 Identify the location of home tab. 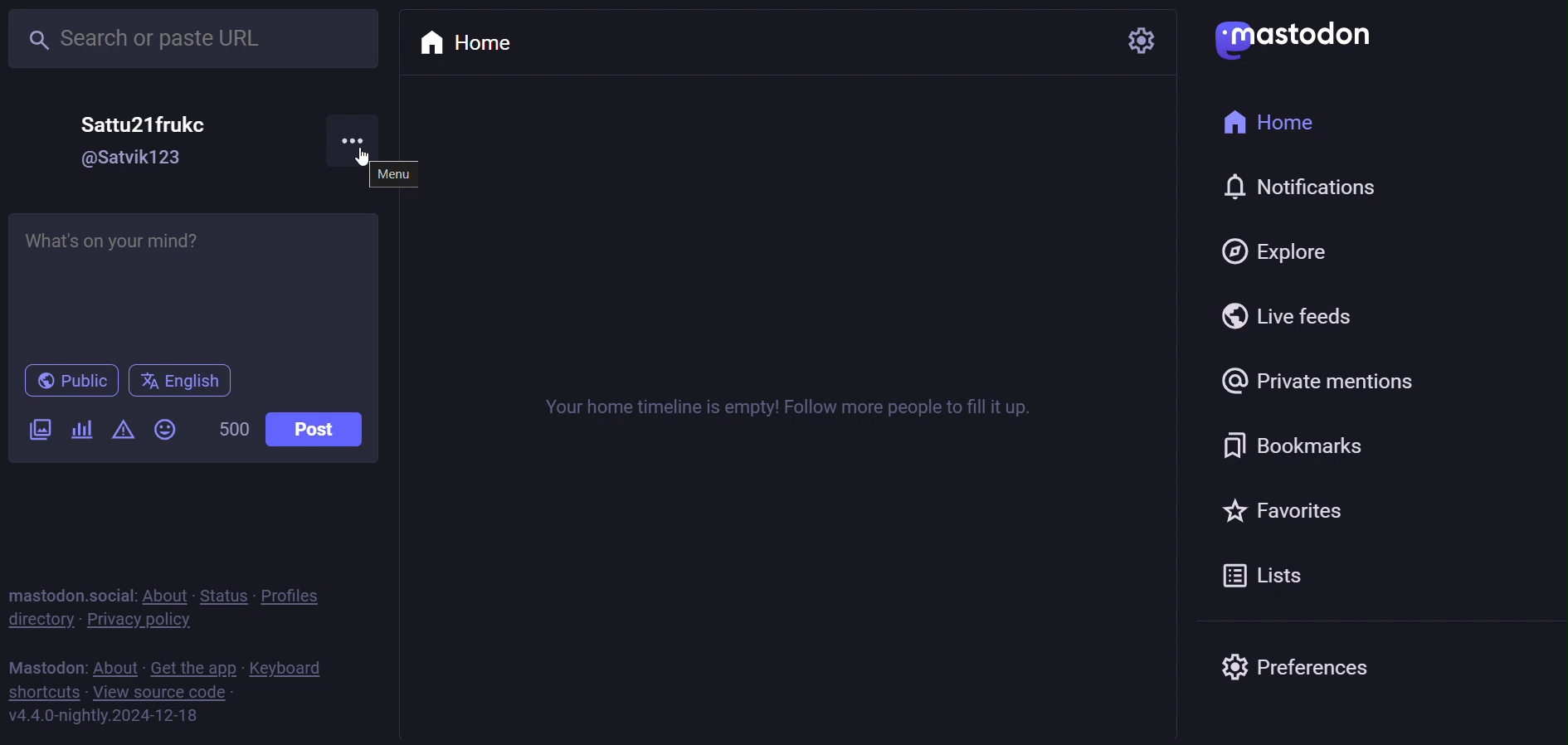
(475, 38).